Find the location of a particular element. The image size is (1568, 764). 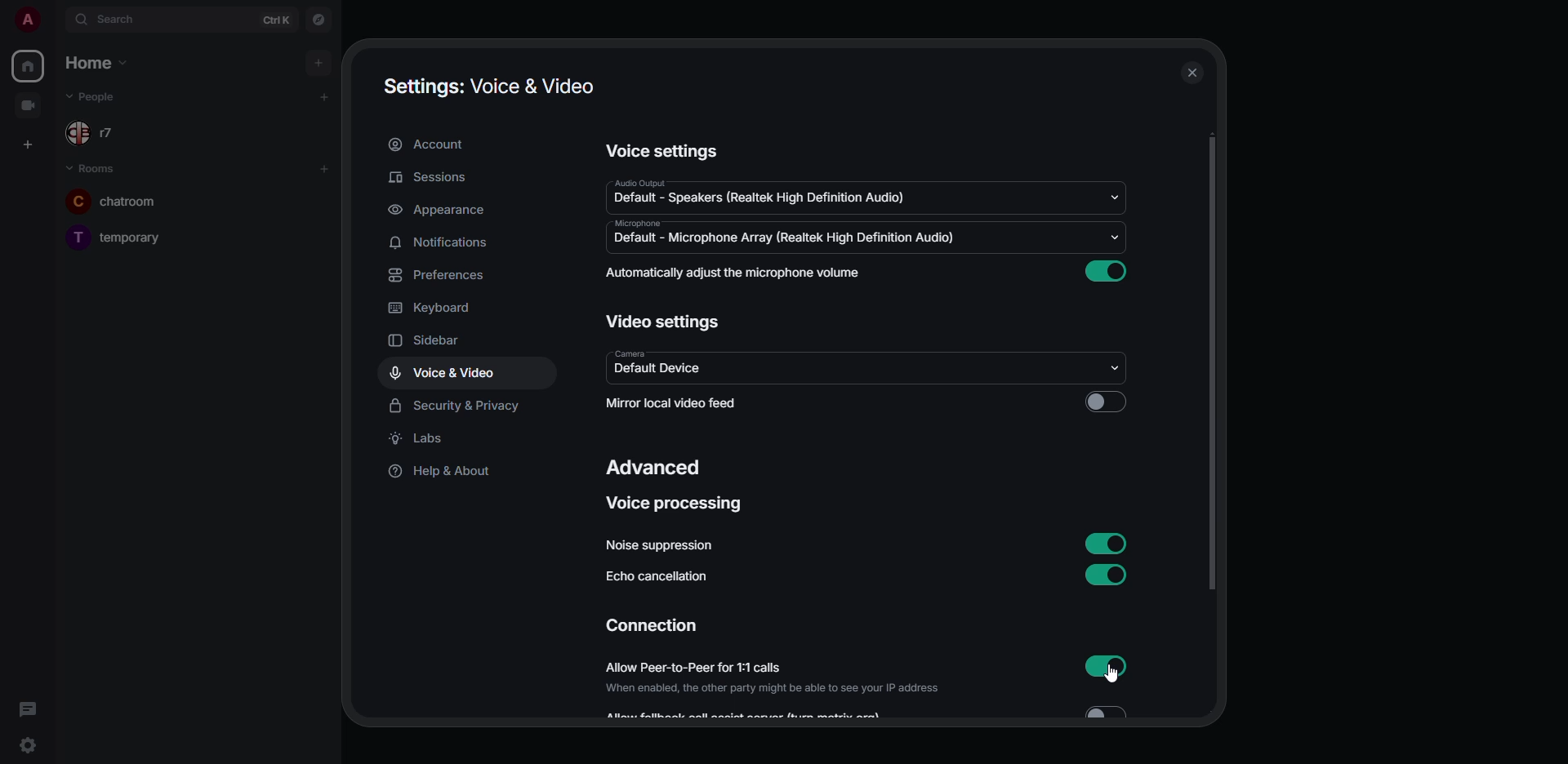

home is located at coordinates (94, 64).